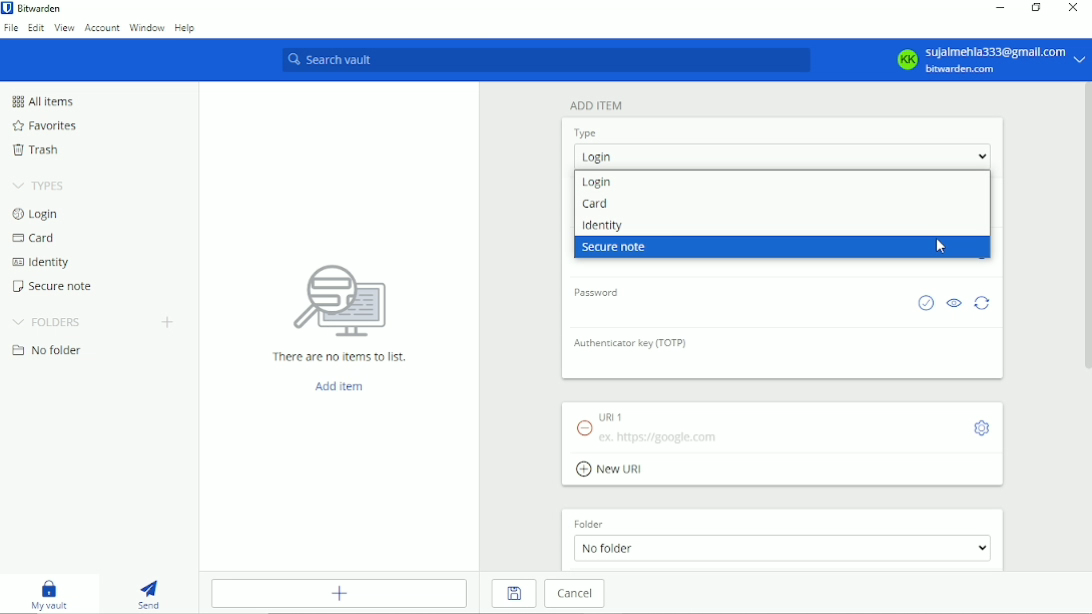 This screenshot has height=614, width=1092. What do you see at coordinates (64, 28) in the screenshot?
I see `View` at bounding box center [64, 28].